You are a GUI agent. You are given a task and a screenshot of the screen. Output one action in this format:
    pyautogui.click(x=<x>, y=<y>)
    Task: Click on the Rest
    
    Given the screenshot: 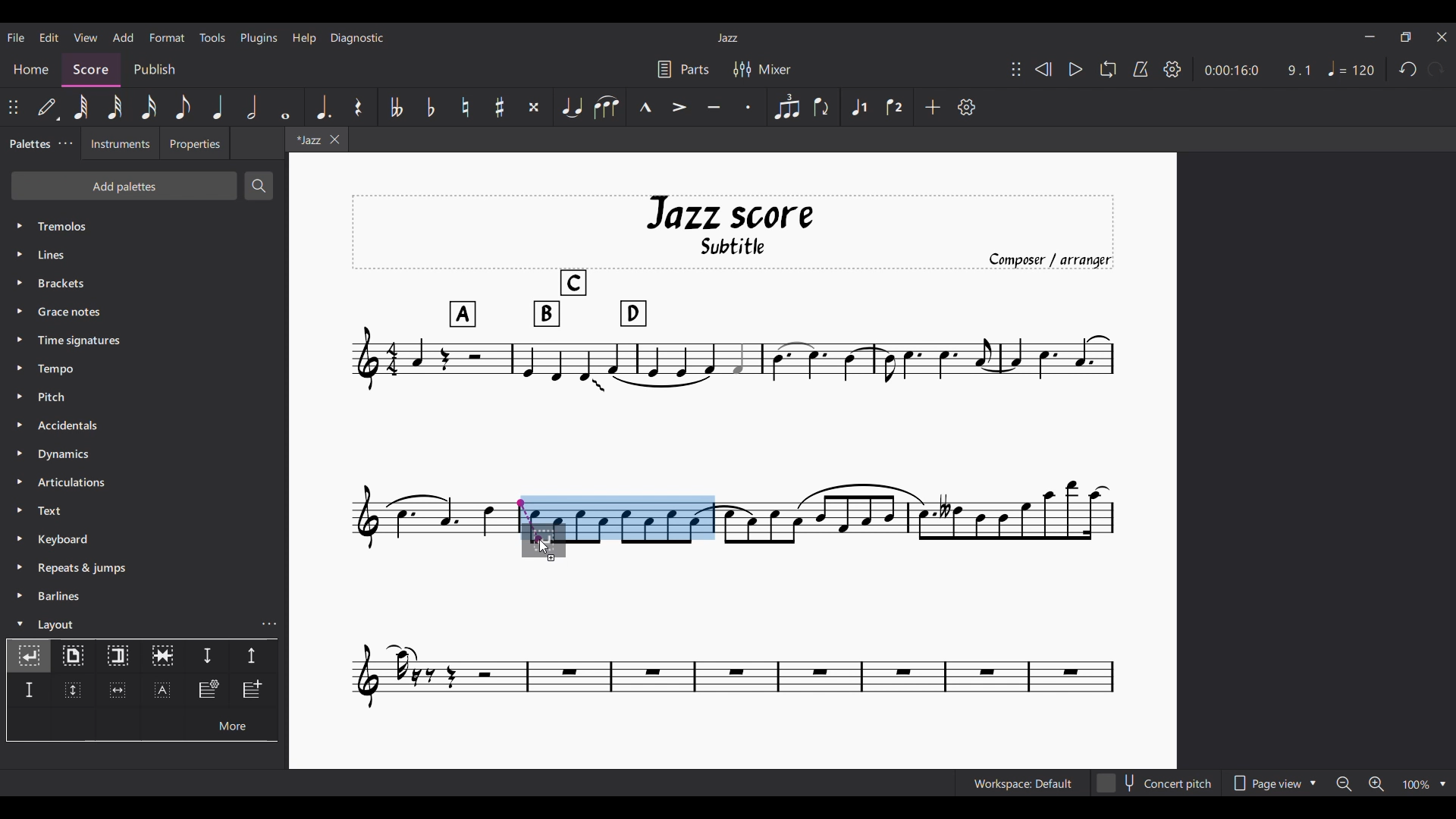 What is the action you would take?
    pyautogui.click(x=359, y=107)
    